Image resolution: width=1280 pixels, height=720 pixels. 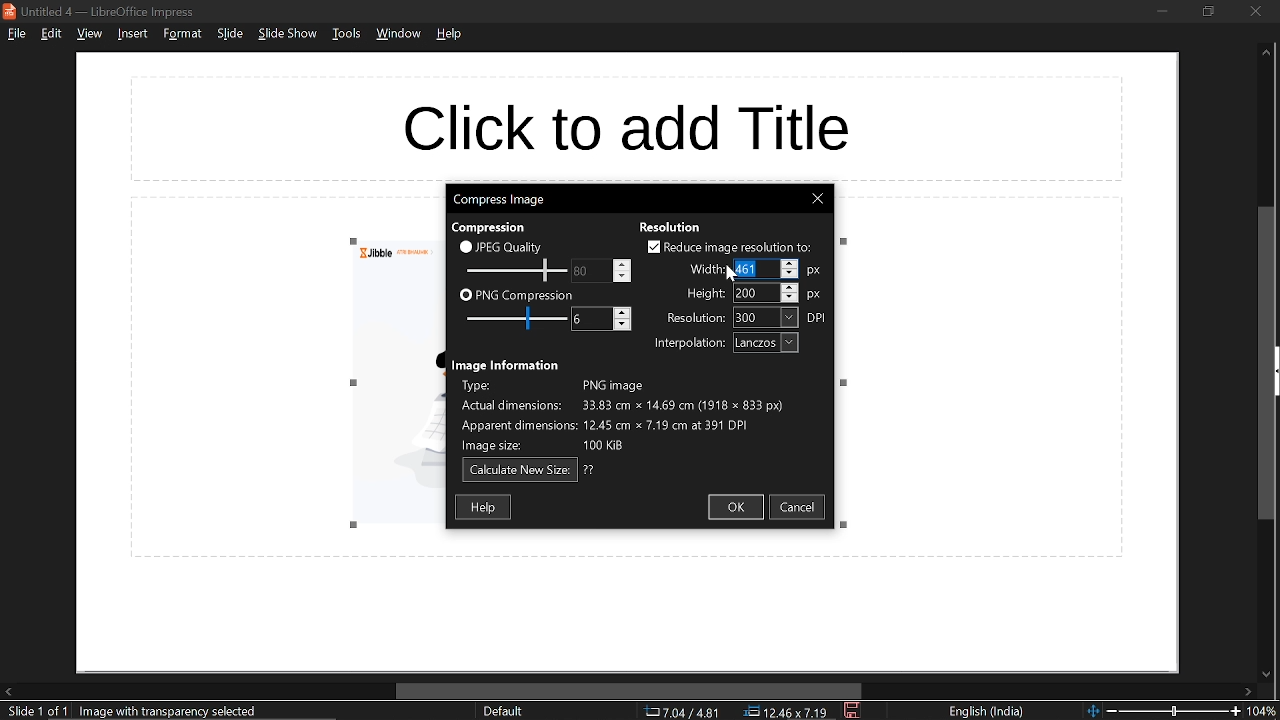 What do you see at coordinates (641, 414) in the screenshot?
I see `Image information` at bounding box center [641, 414].